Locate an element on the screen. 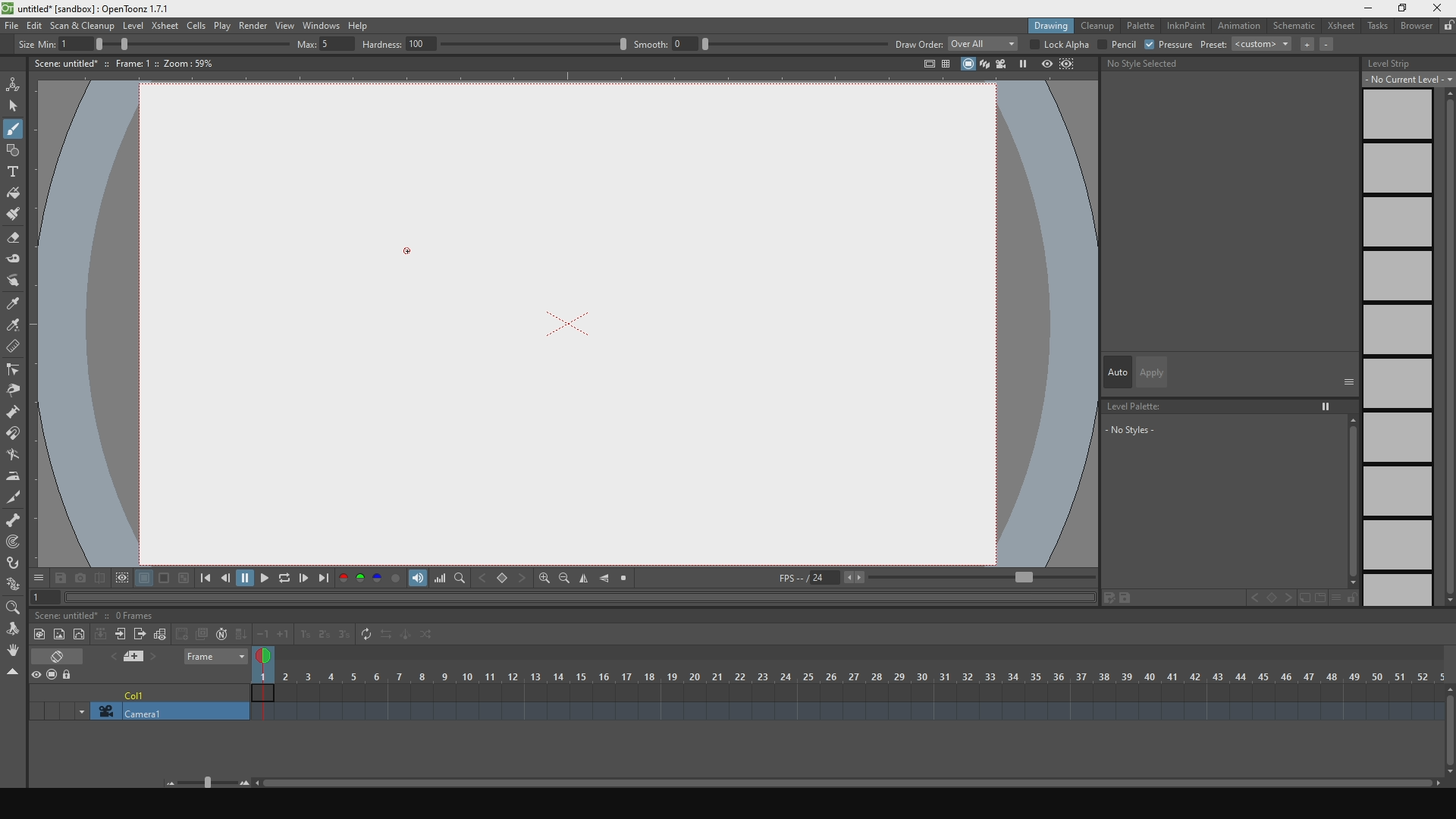 This screenshot has width=1456, height=819. palette colors is located at coordinates (369, 581).